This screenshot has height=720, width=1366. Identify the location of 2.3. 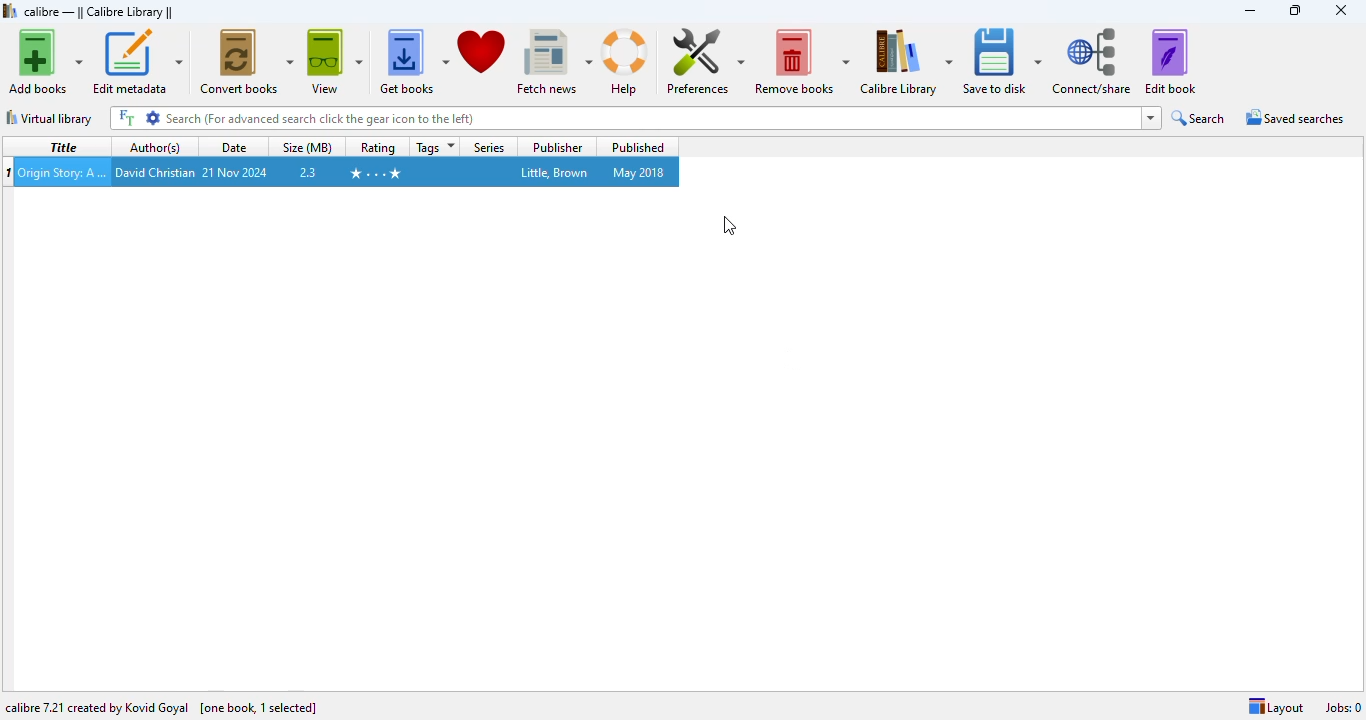
(308, 172).